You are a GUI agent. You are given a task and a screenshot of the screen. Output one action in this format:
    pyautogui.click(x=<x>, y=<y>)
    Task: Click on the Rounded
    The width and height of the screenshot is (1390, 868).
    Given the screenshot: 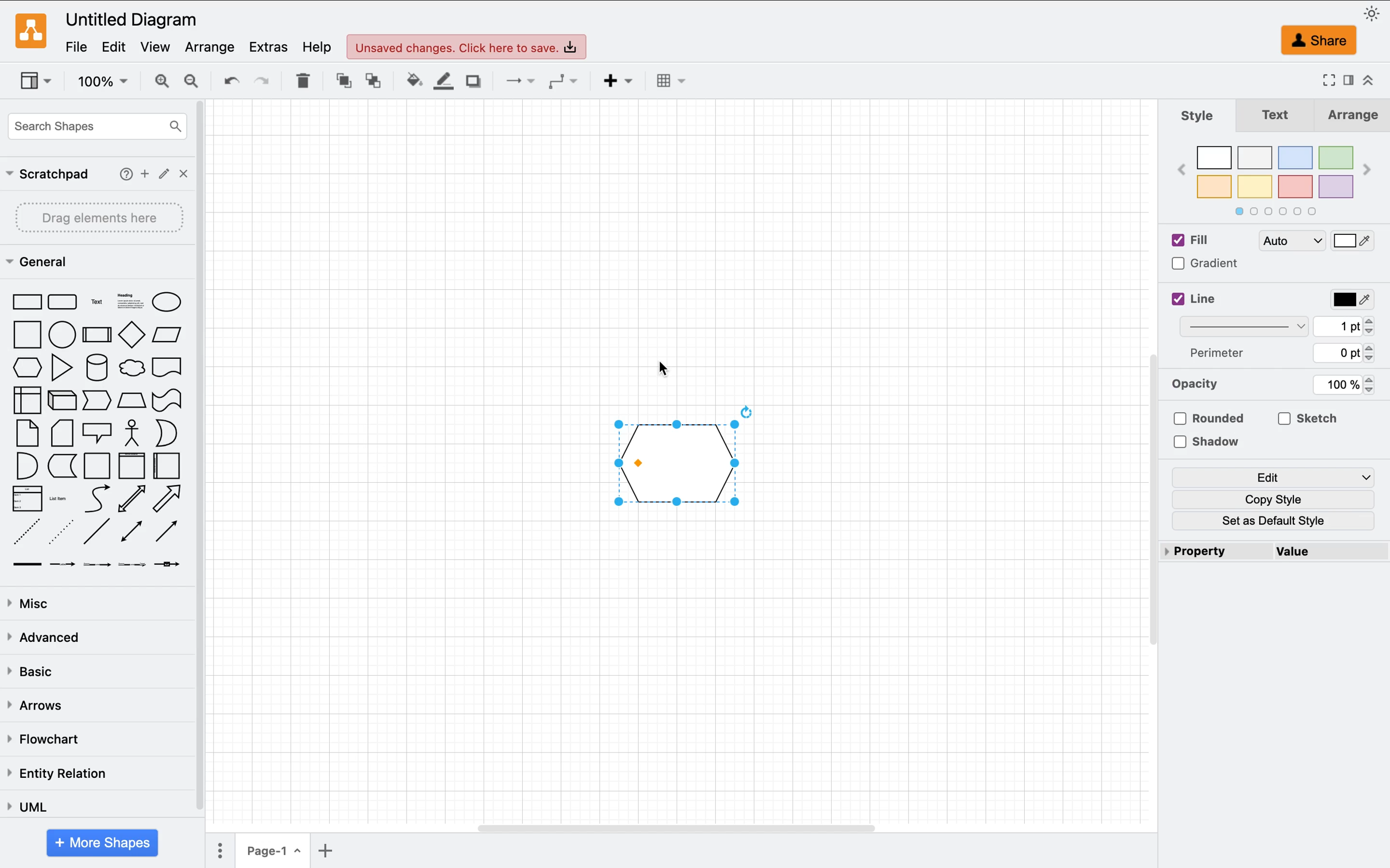 What is the action you would take?
    pyautogui.click(x=1216, y=415)
    